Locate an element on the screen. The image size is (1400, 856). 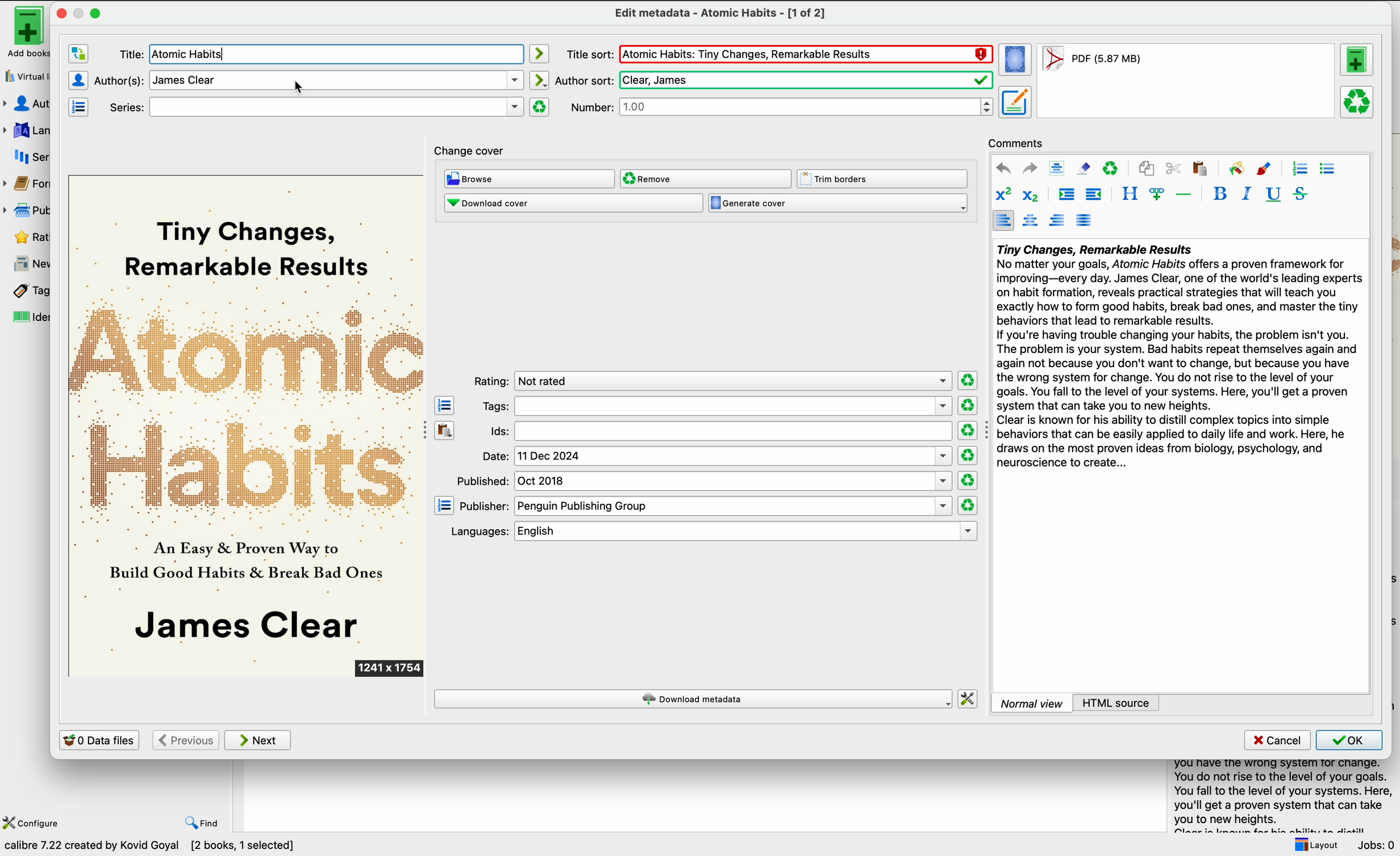
align left is located at coordinates (1003, 220).